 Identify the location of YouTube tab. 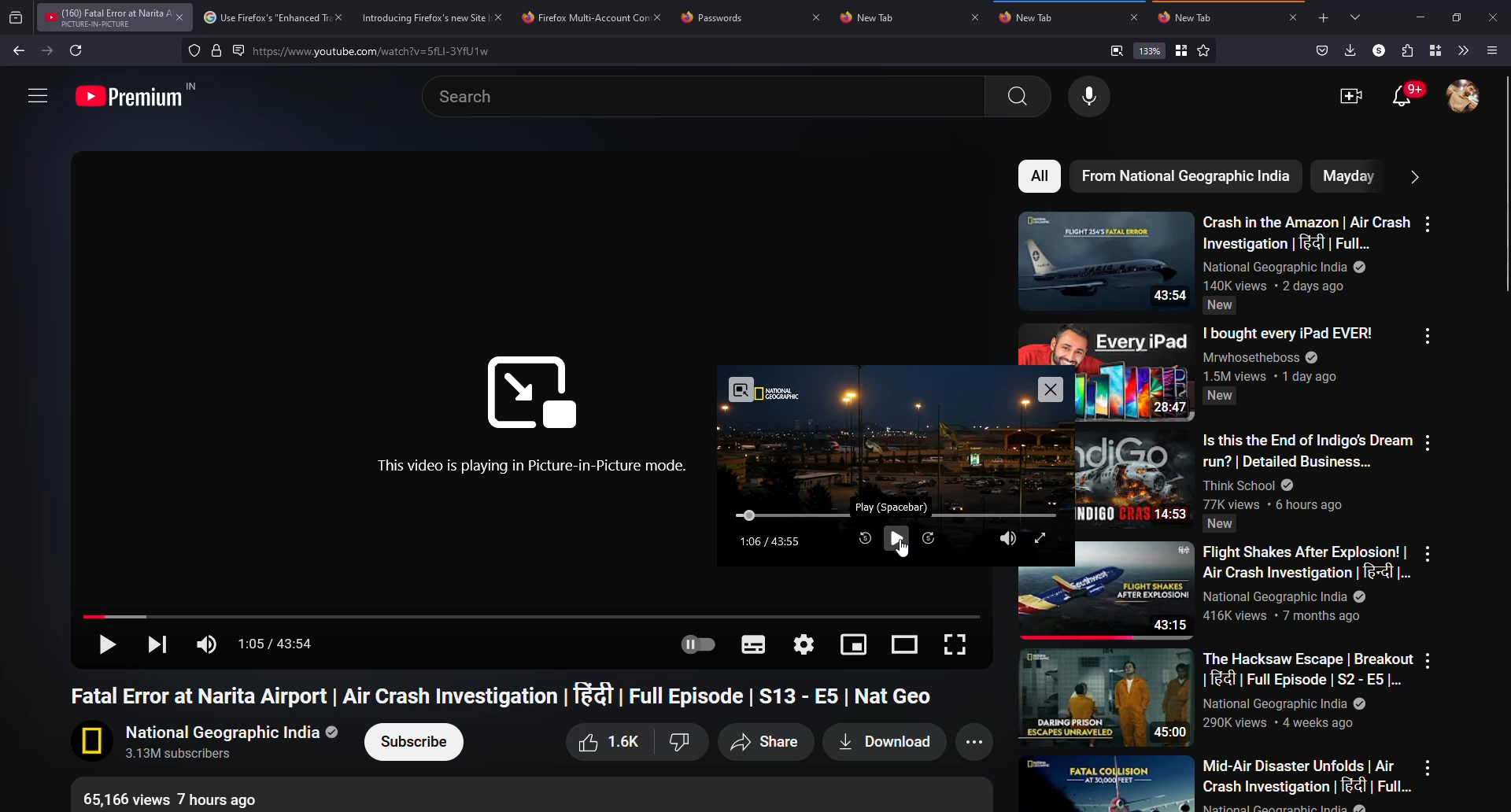
(104, 17).